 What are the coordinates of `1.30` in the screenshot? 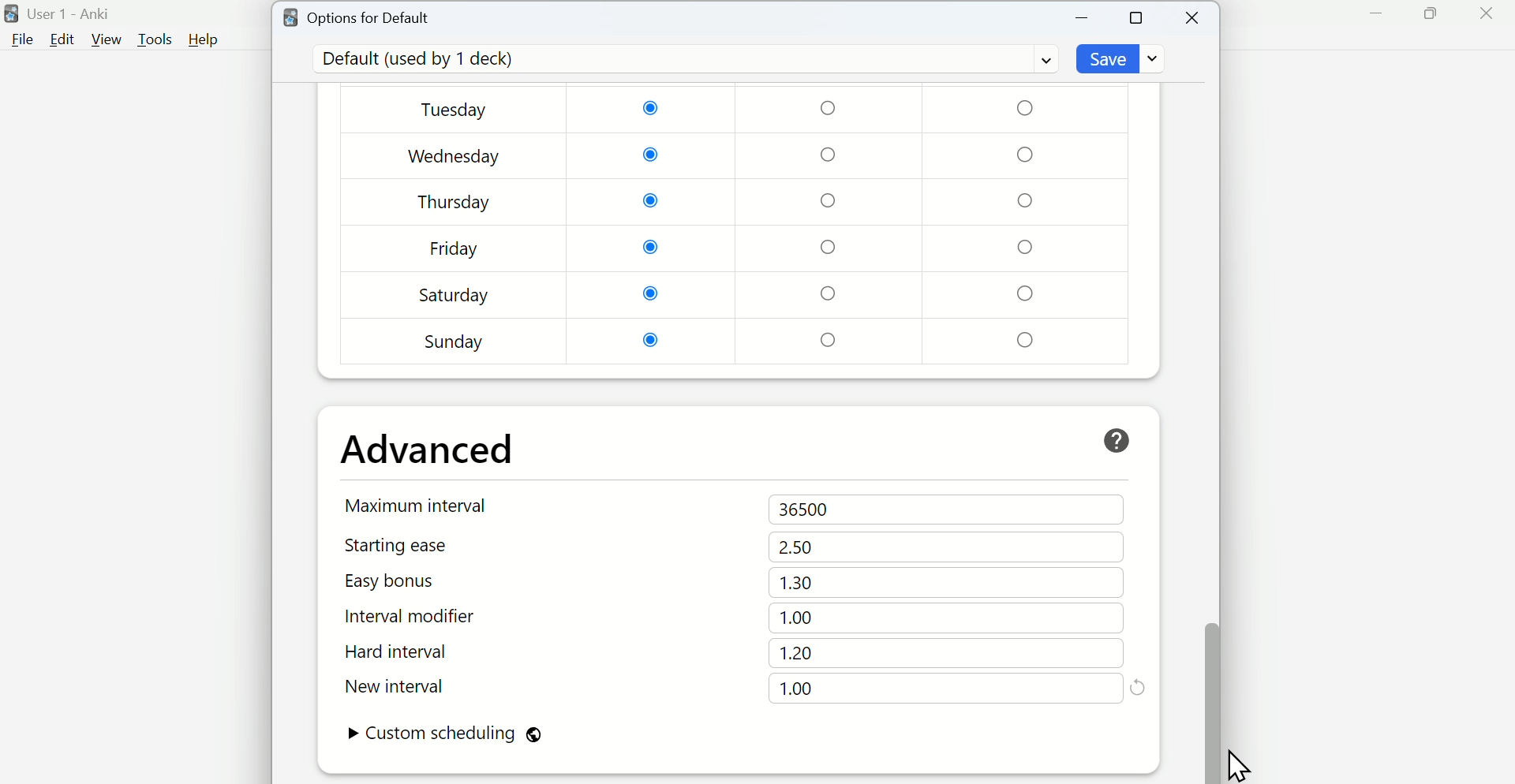 It's located at (796, 582).